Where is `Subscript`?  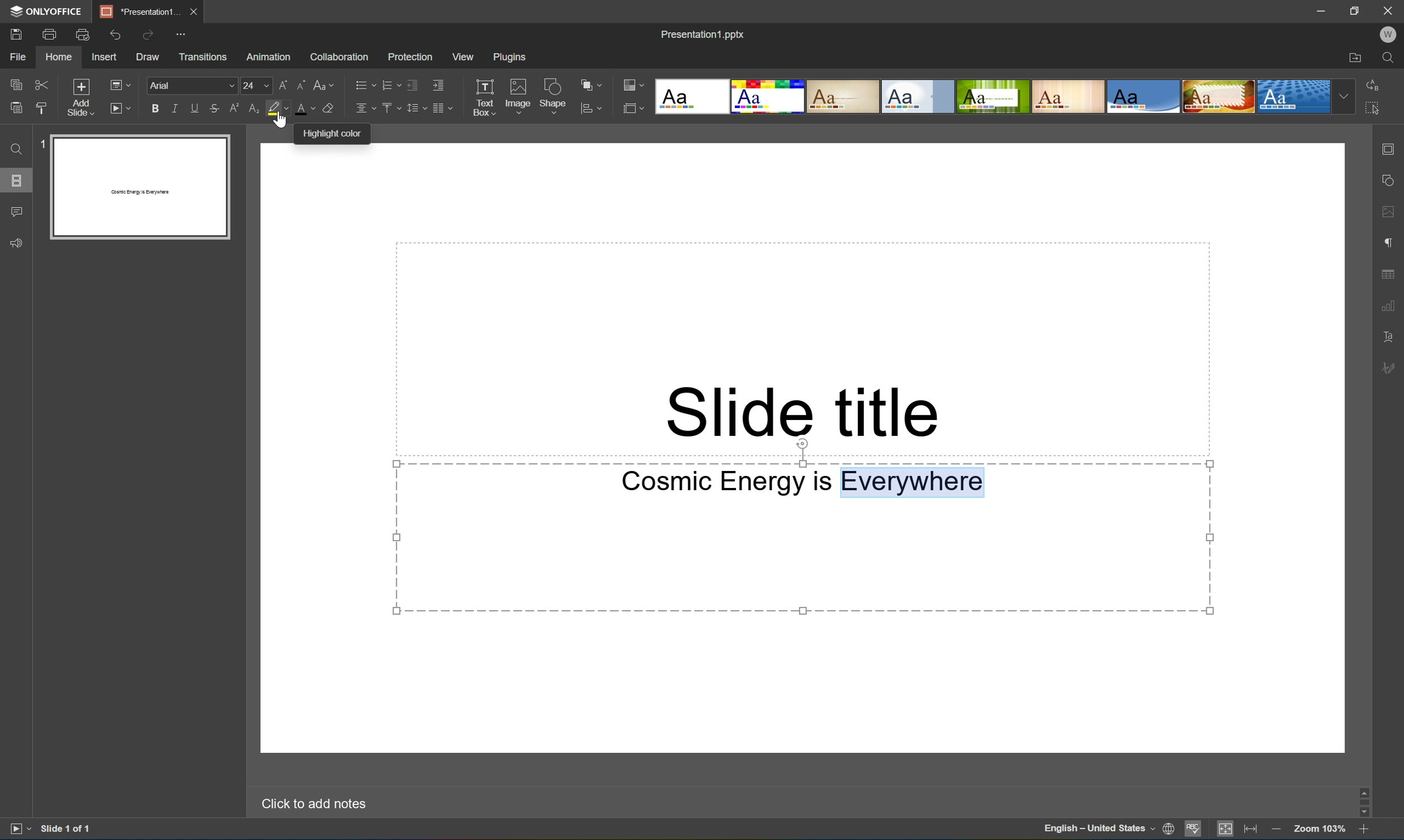 Subscript is located at coordinates (255, 107).